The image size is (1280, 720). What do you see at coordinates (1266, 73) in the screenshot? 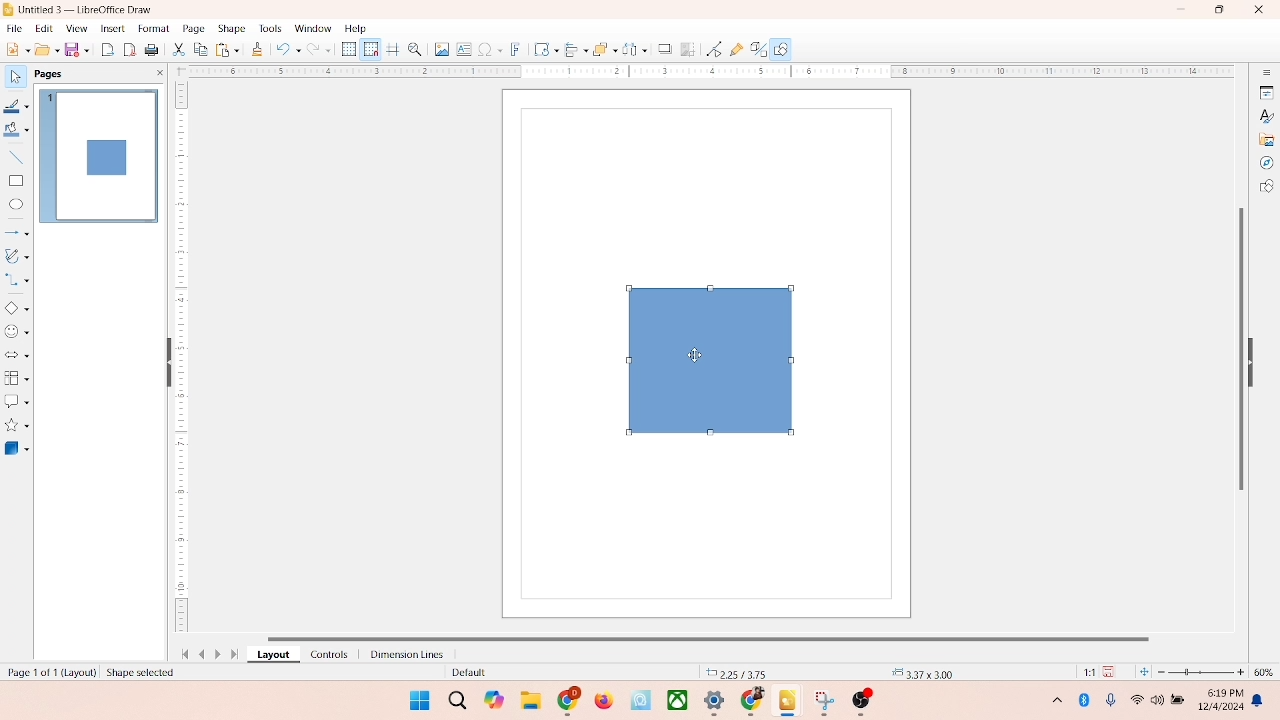
I see `sidebar settings` at bounding box center [1266, 73].